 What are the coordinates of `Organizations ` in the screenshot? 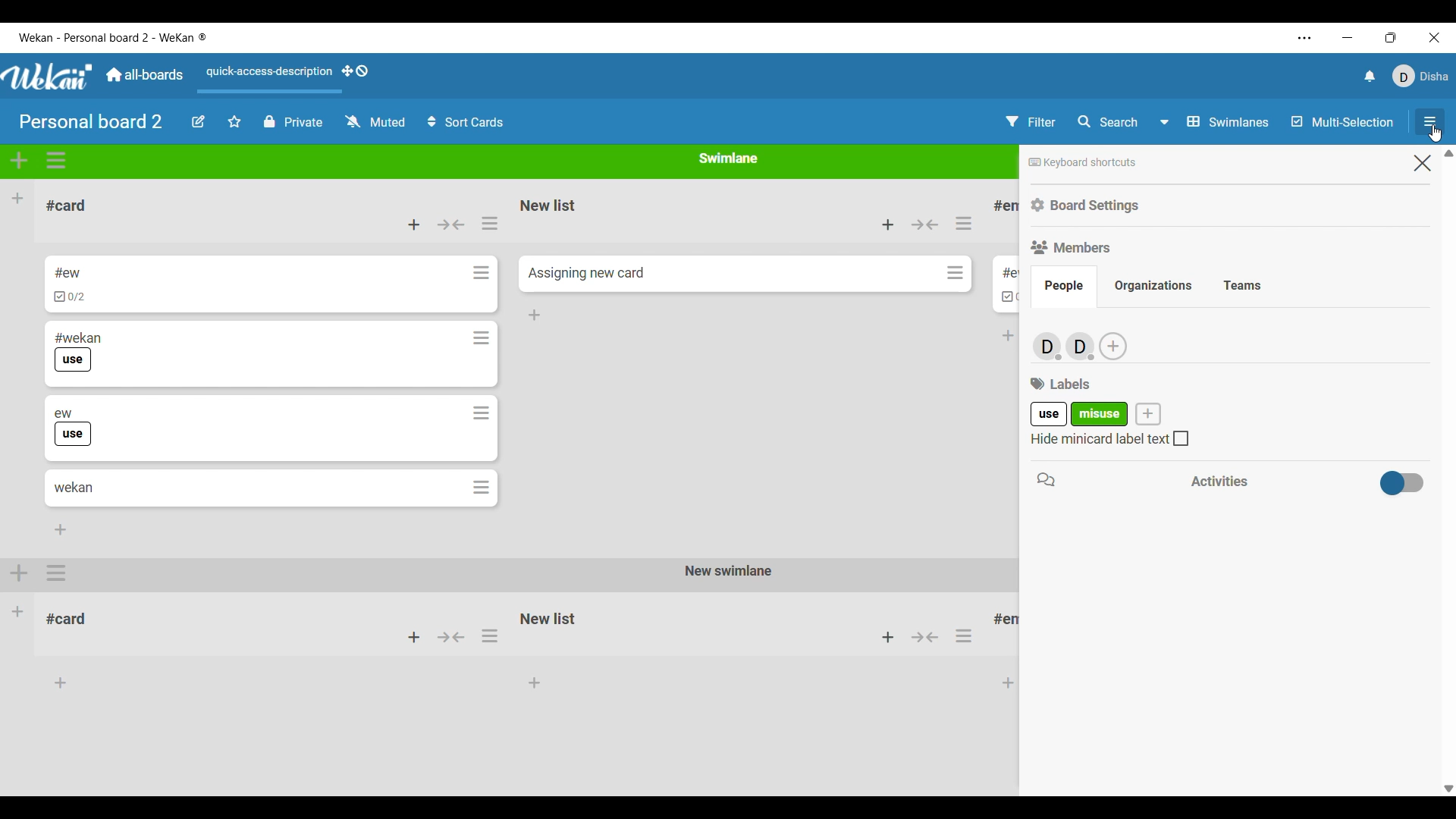 It's located at (1153, 286).